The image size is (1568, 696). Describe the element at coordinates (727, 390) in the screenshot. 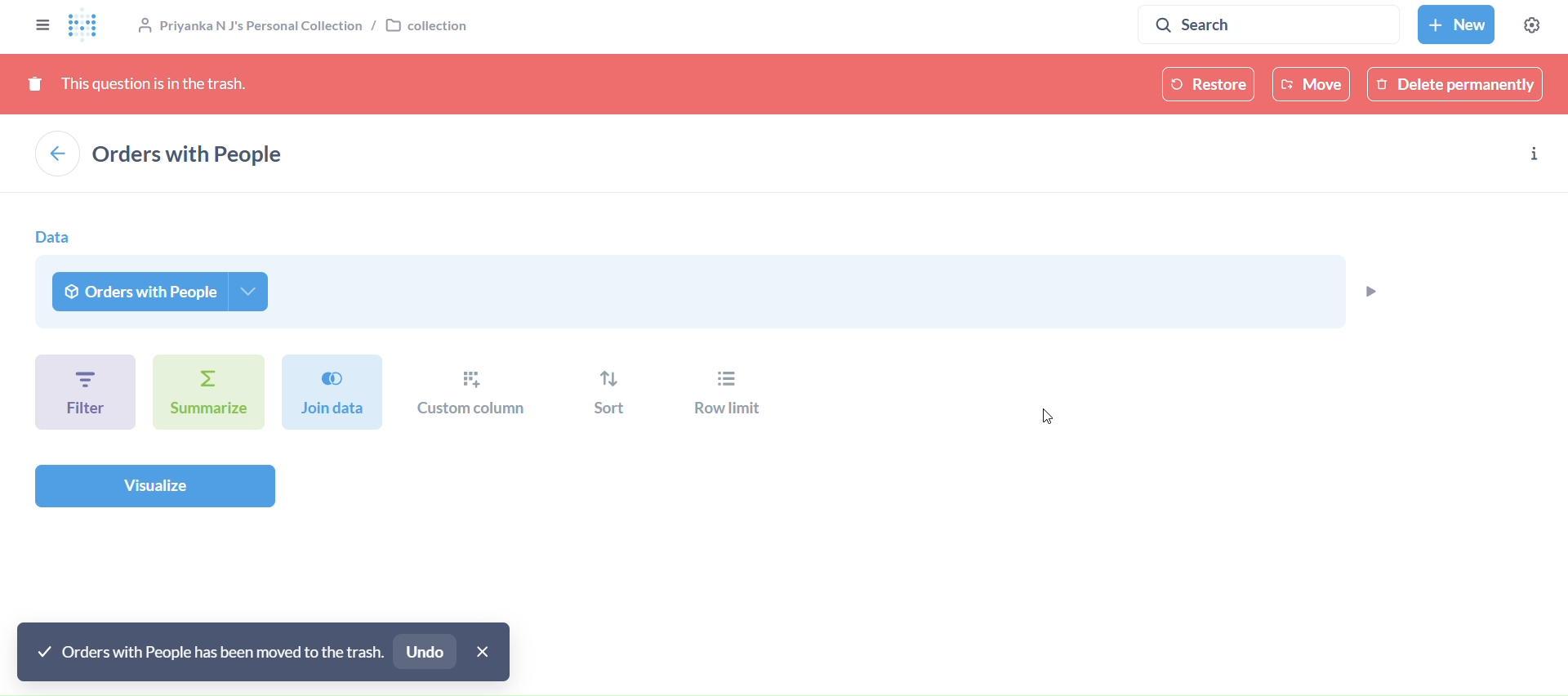

I see `row limit` at that location.